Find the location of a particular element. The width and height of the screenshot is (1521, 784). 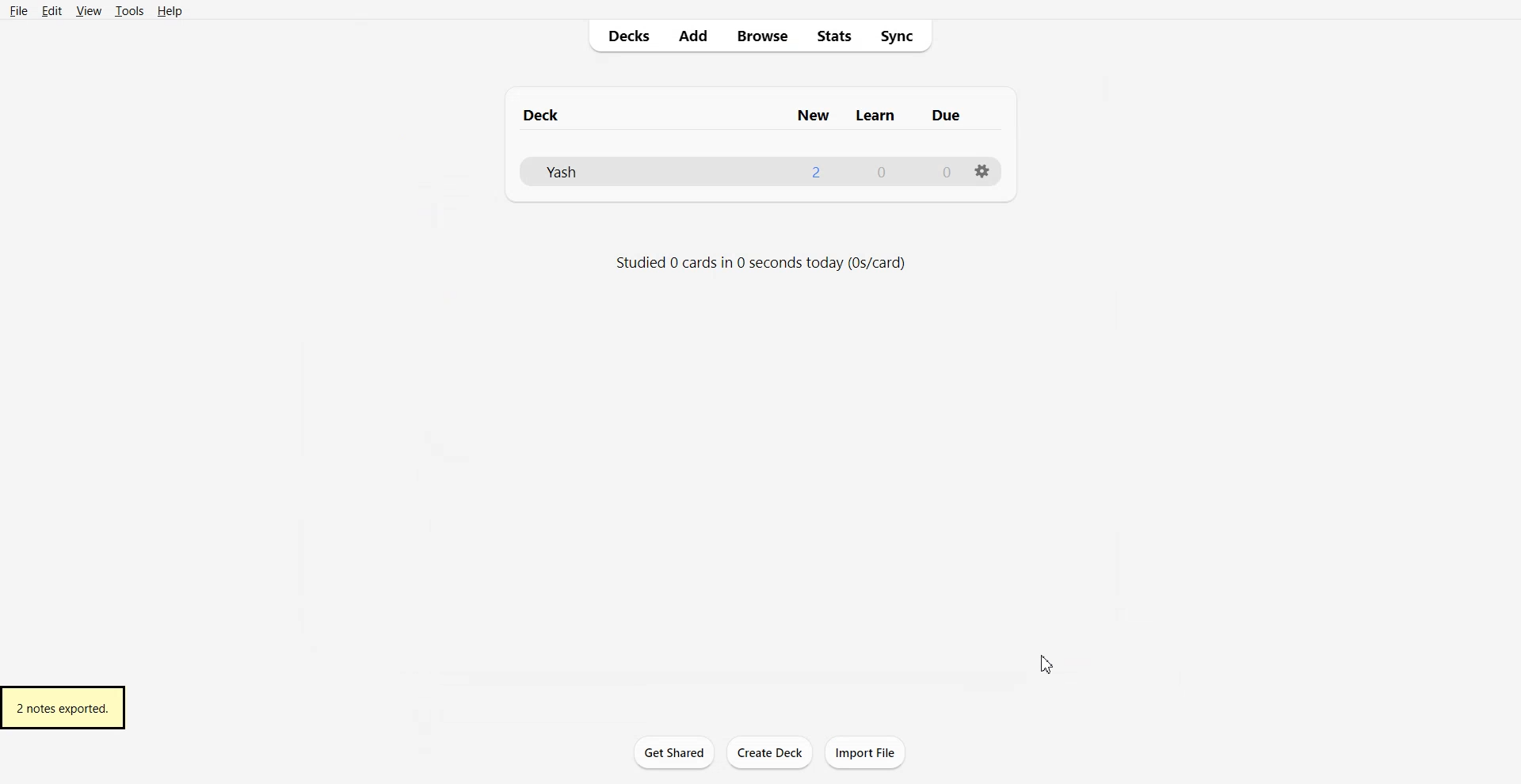

Stats is located at coordinates (837, 36).